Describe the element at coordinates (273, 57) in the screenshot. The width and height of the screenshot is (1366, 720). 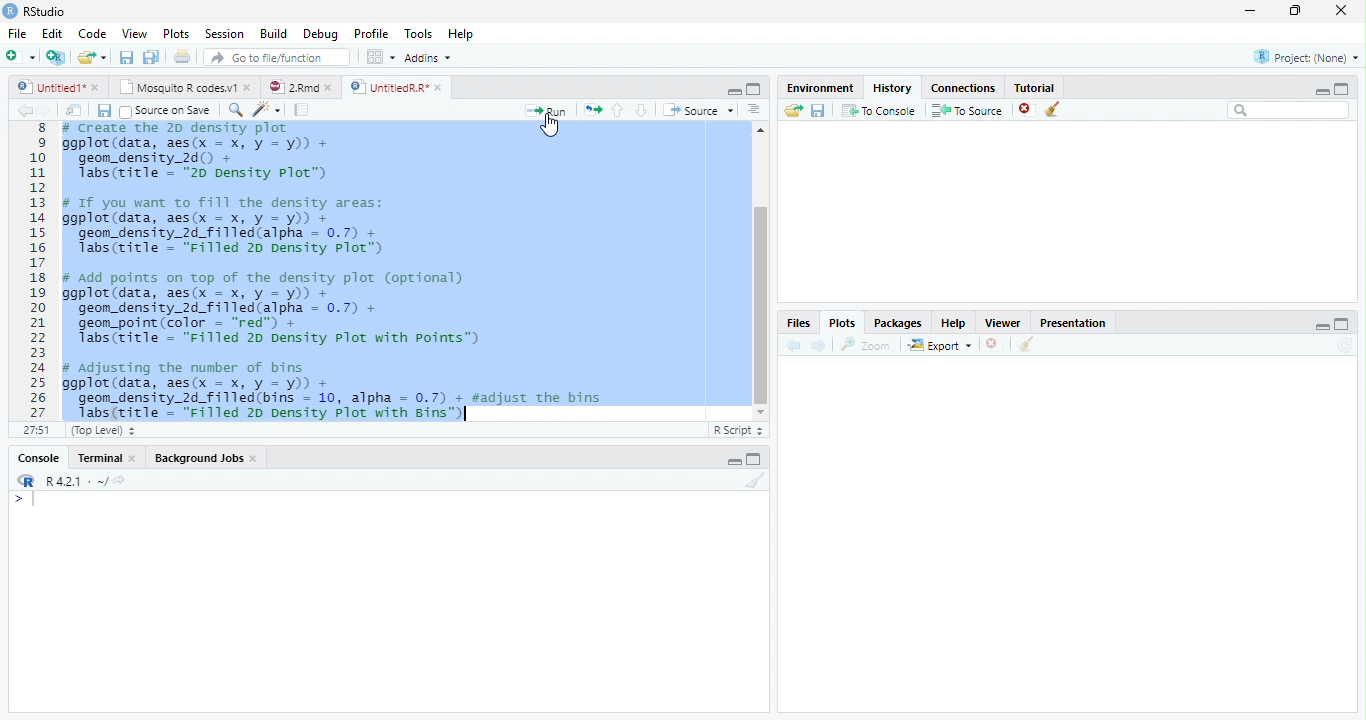
I see `GO to file/function` at that location.